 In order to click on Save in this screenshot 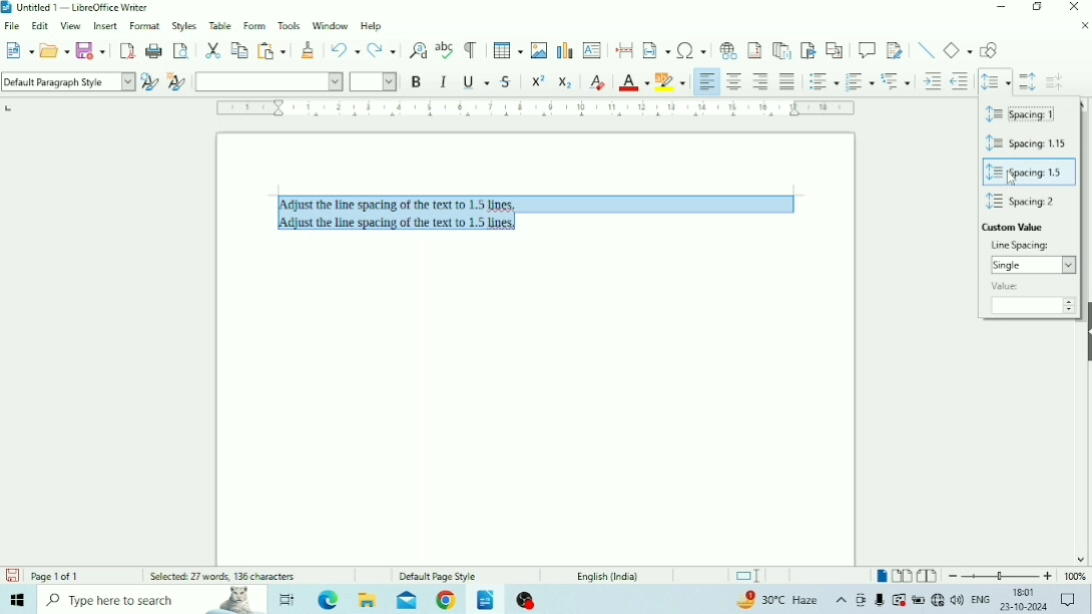, I will do `click(12, 575)`.